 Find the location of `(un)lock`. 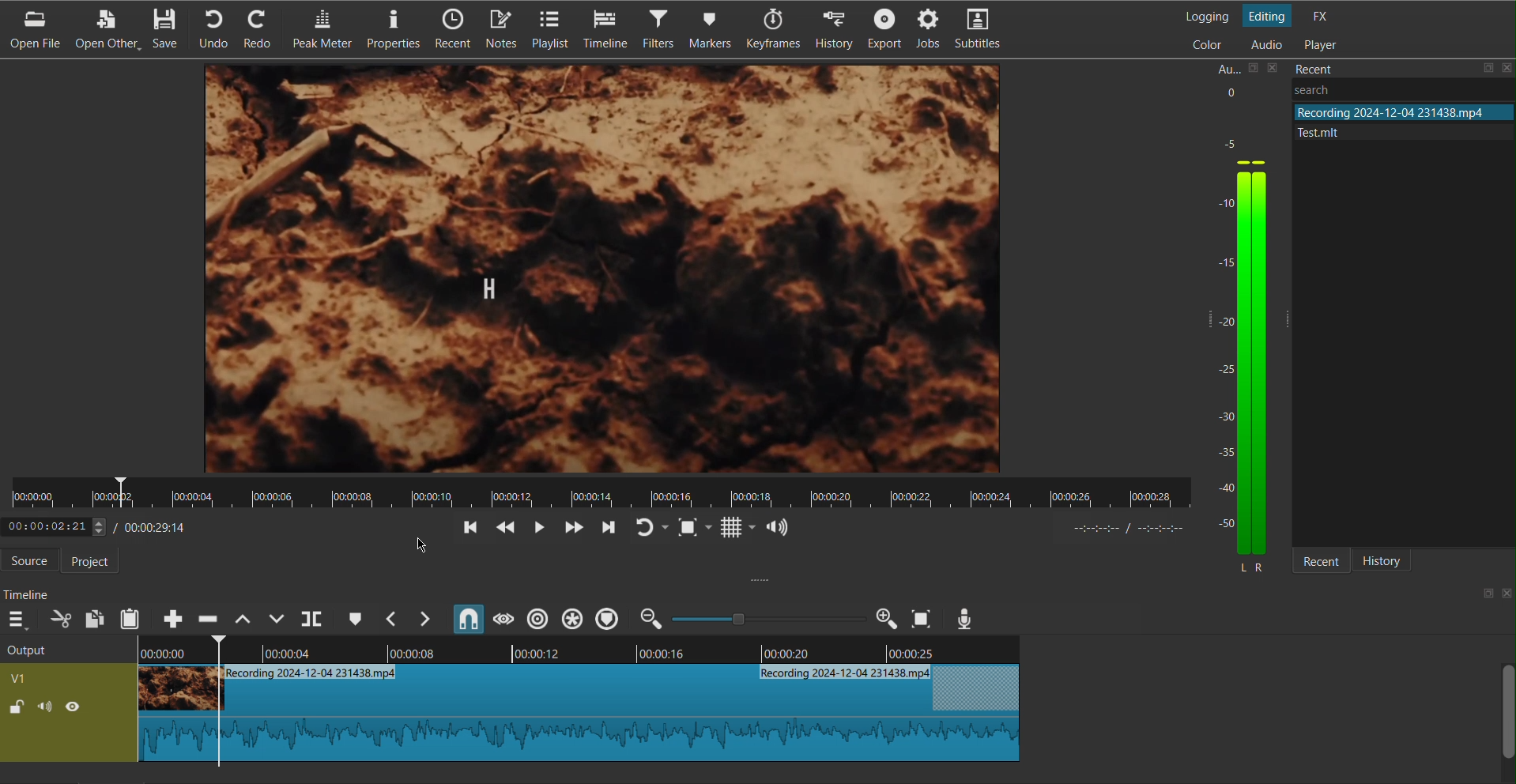

(un)lock is located at coordinates (15, 707).